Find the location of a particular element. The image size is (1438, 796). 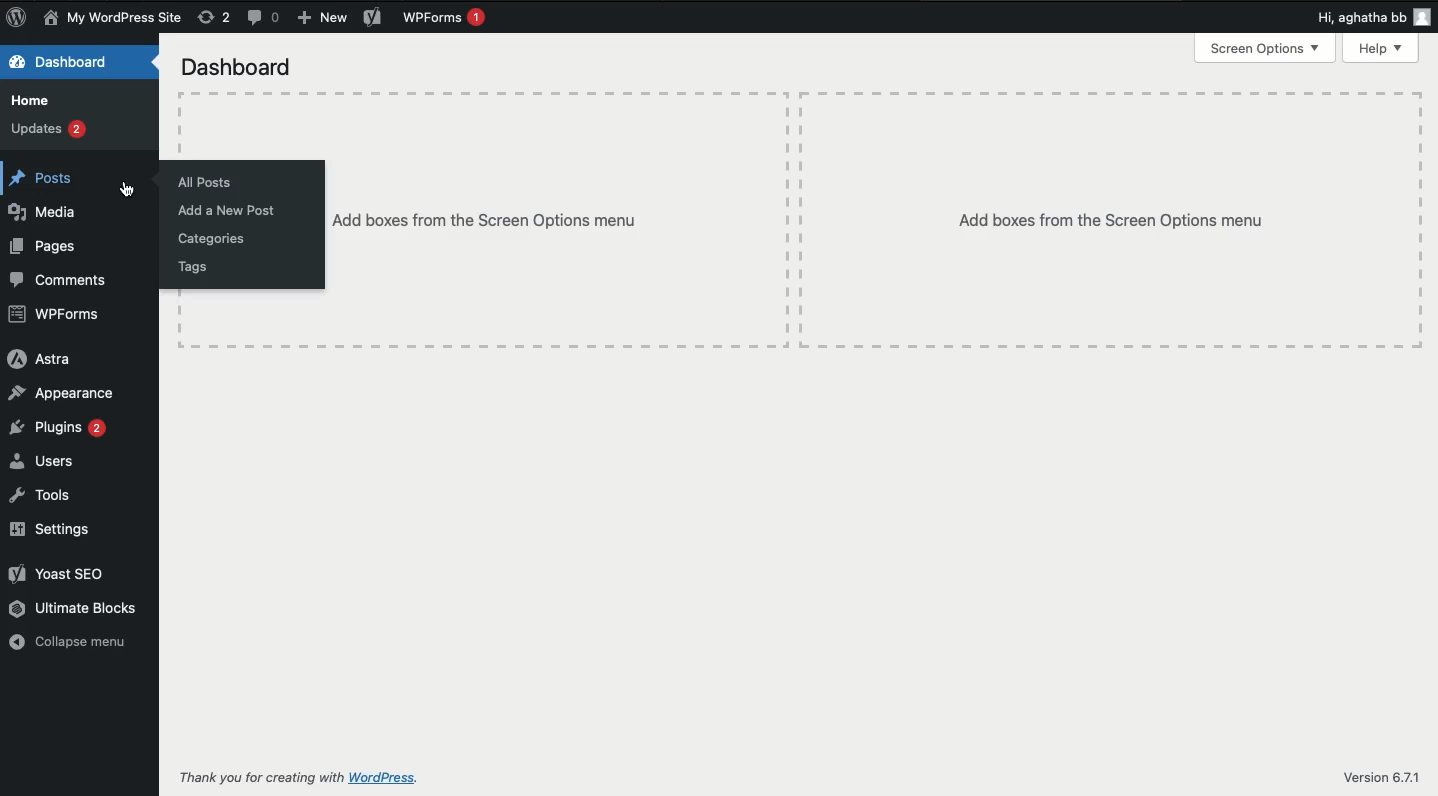

Revisions is located at coordinates (214, 18).